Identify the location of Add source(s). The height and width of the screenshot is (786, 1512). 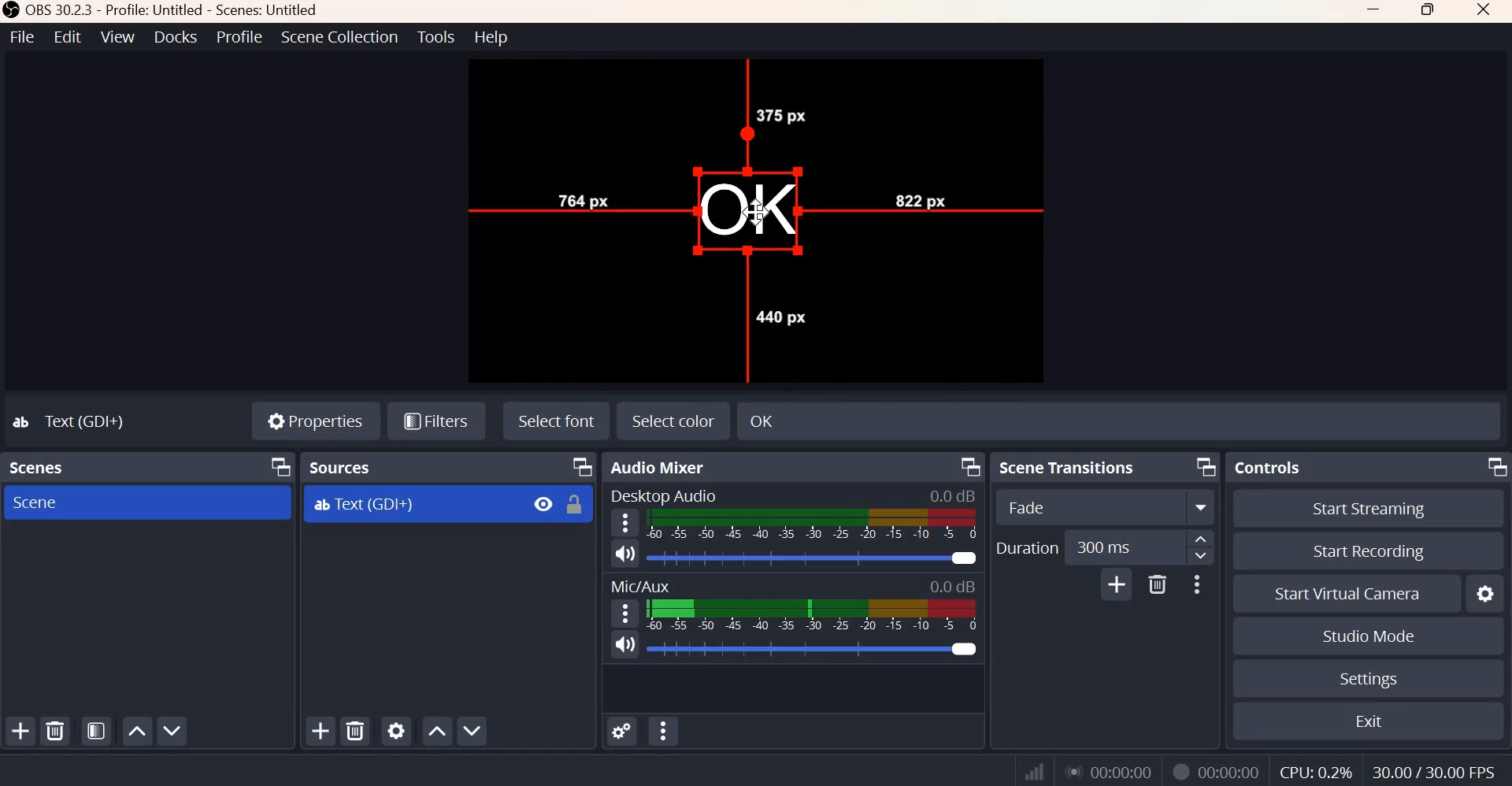
(322, 732).